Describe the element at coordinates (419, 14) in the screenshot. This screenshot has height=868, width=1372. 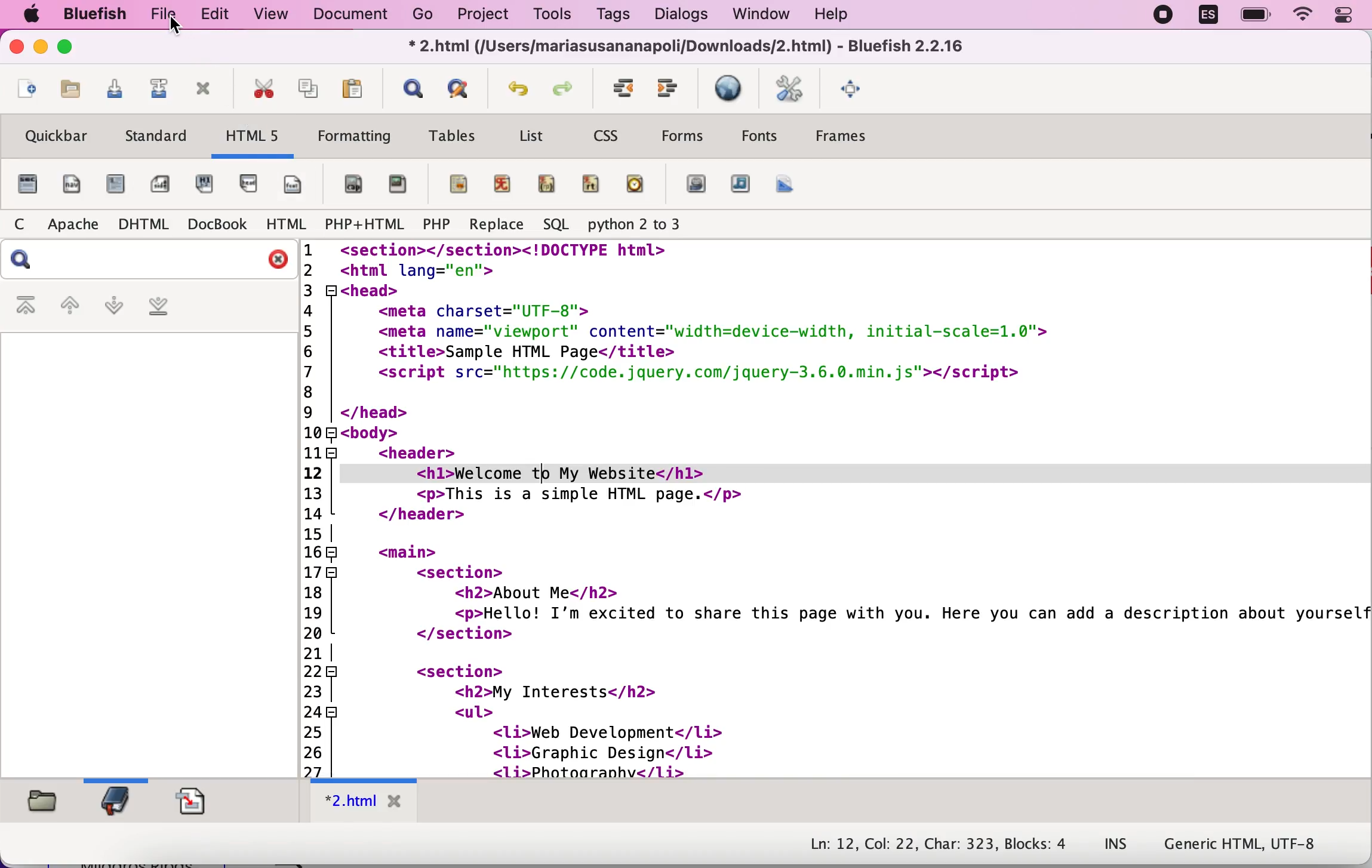
I see `go` at that location.